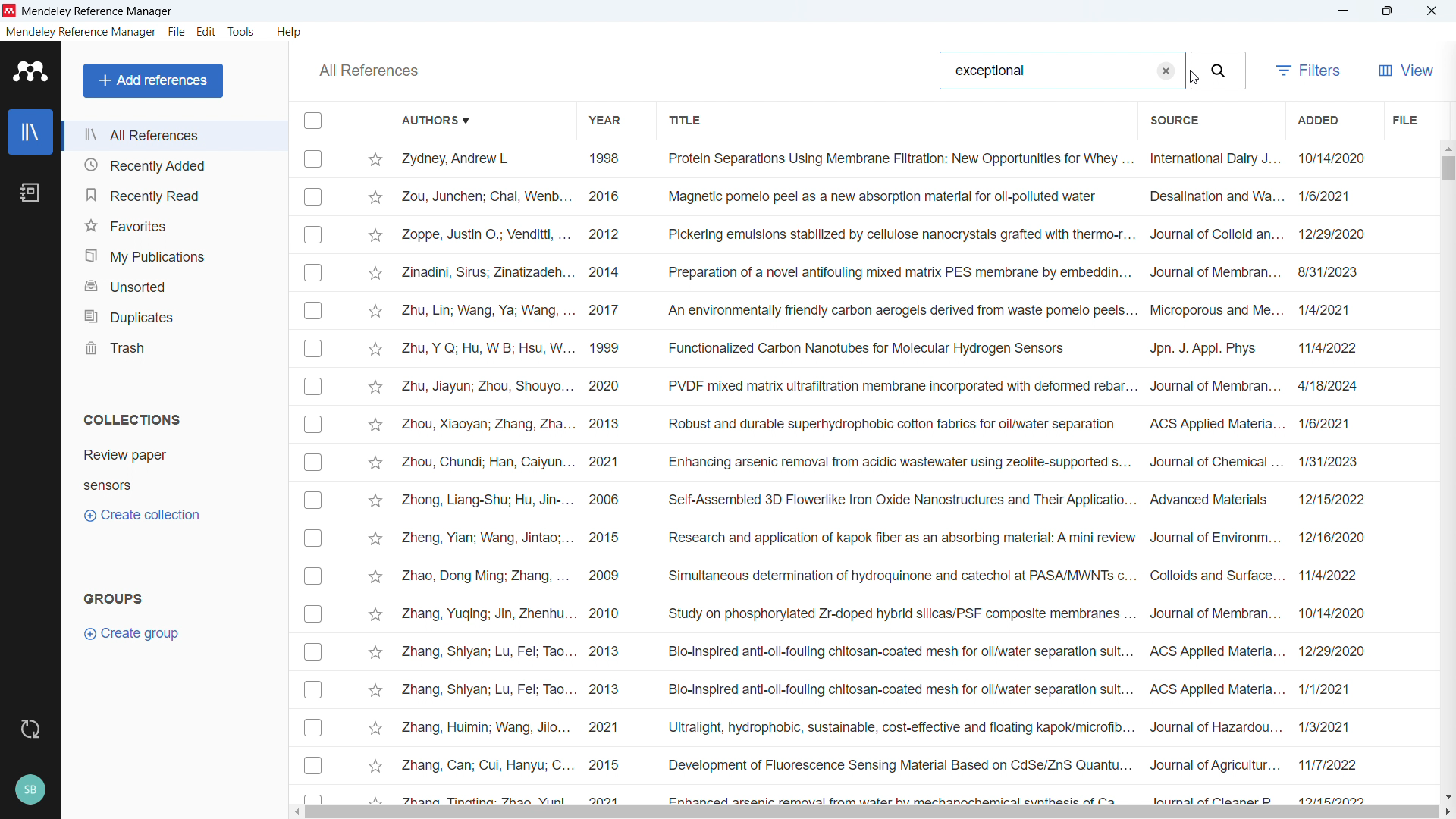  Describe the element at coordinates (97, 11) in the screenshot. I see `mendeley reference manager` at that location.